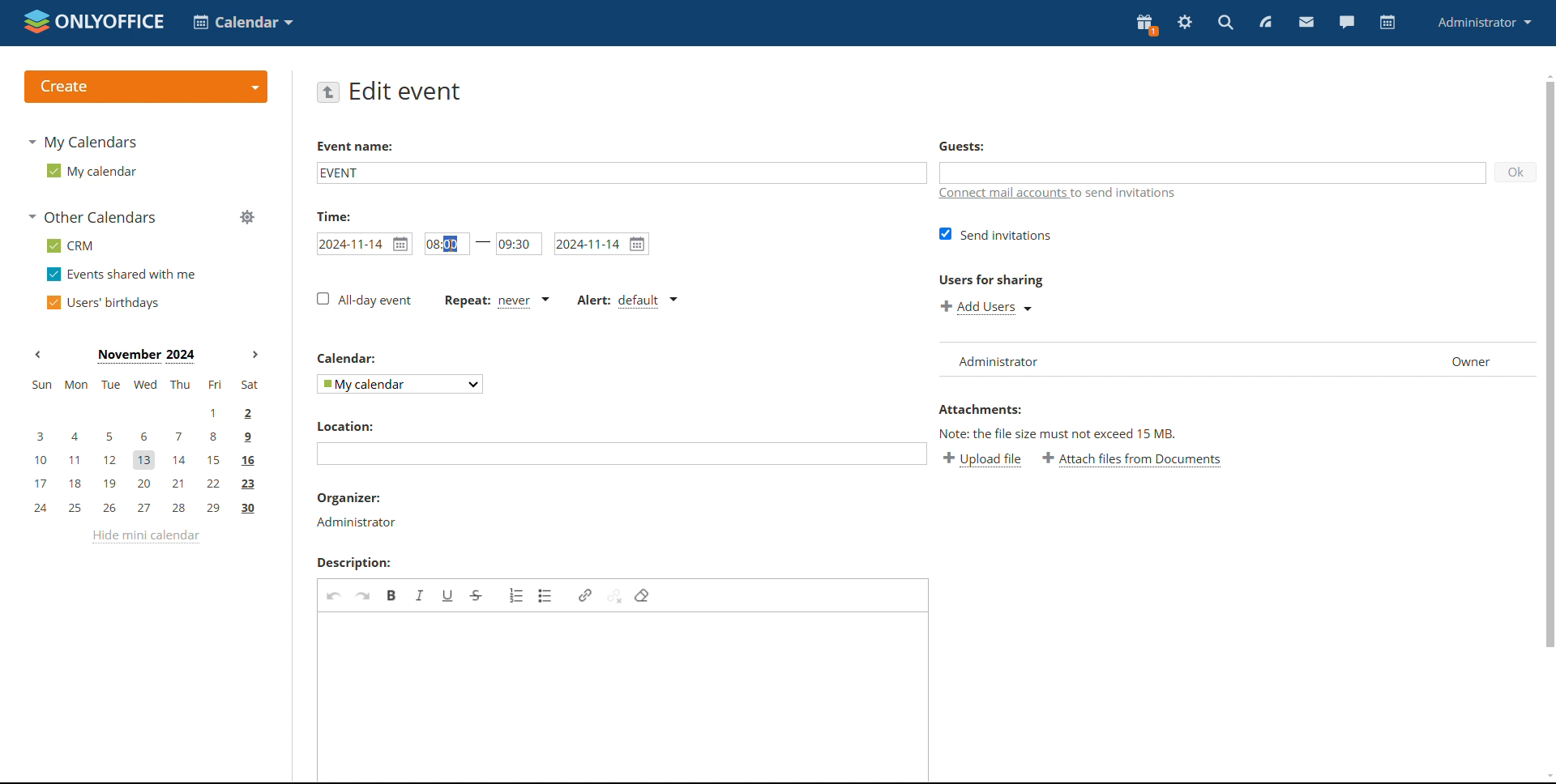 The width and height of the screenshot is (1556, 784). What do you see at coordinates (421, 596) in the screenshot?
I see `italic` at bounding box center [421, 596].